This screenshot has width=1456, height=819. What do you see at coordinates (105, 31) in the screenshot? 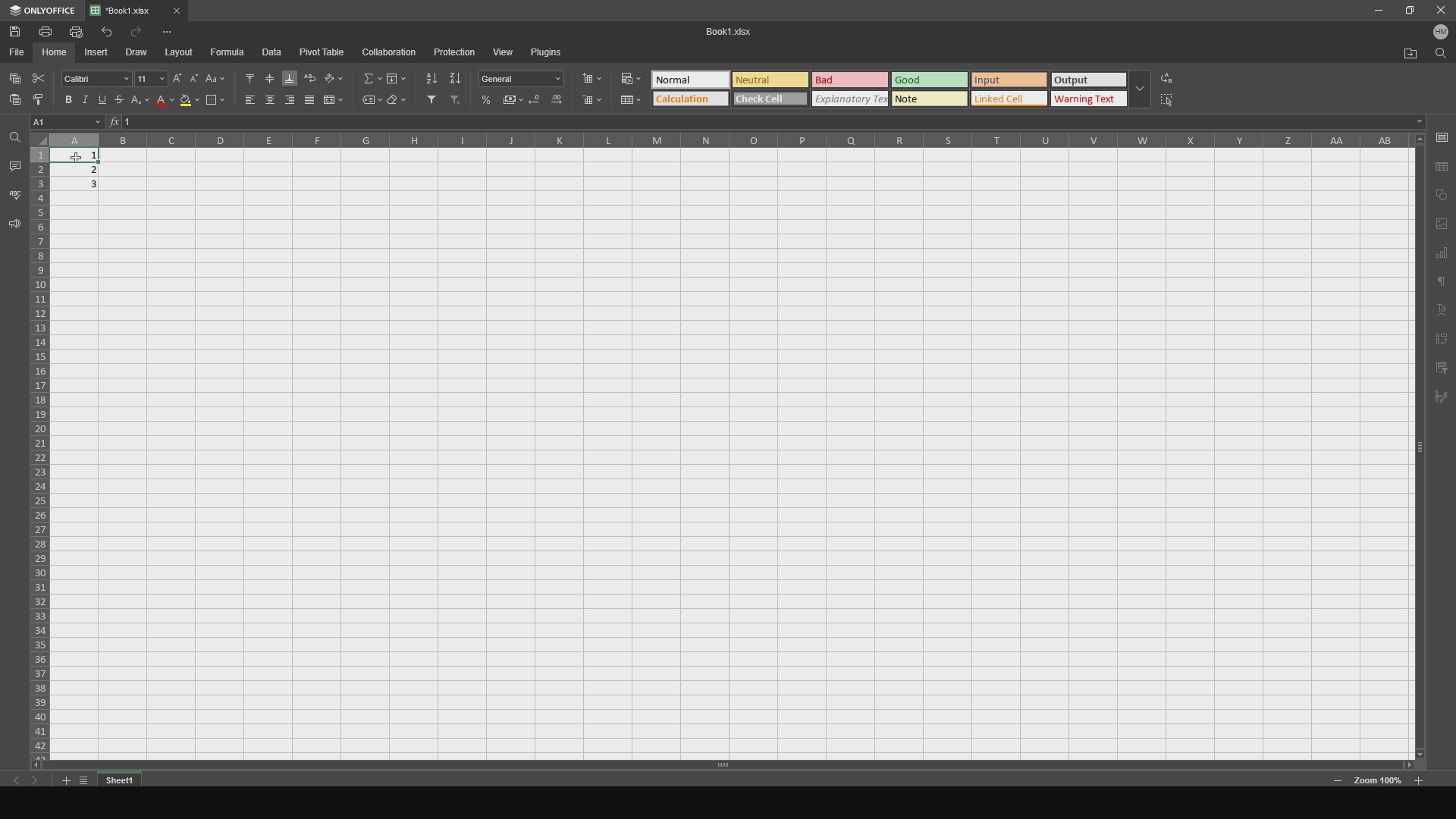
I see `undo` at bounding box center [105, 31].